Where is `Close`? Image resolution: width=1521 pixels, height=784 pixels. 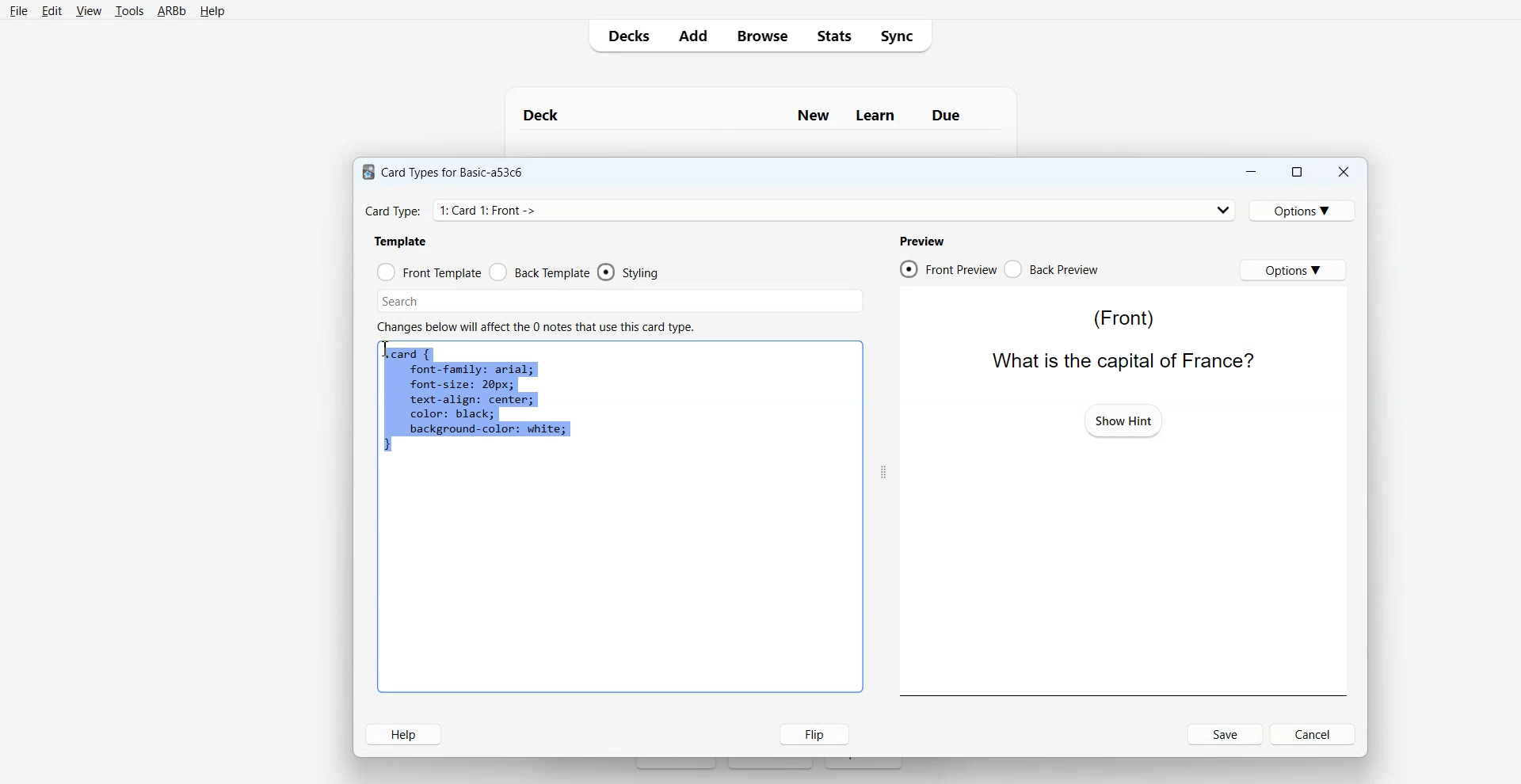
Close is located at coordinates (1343, 173).